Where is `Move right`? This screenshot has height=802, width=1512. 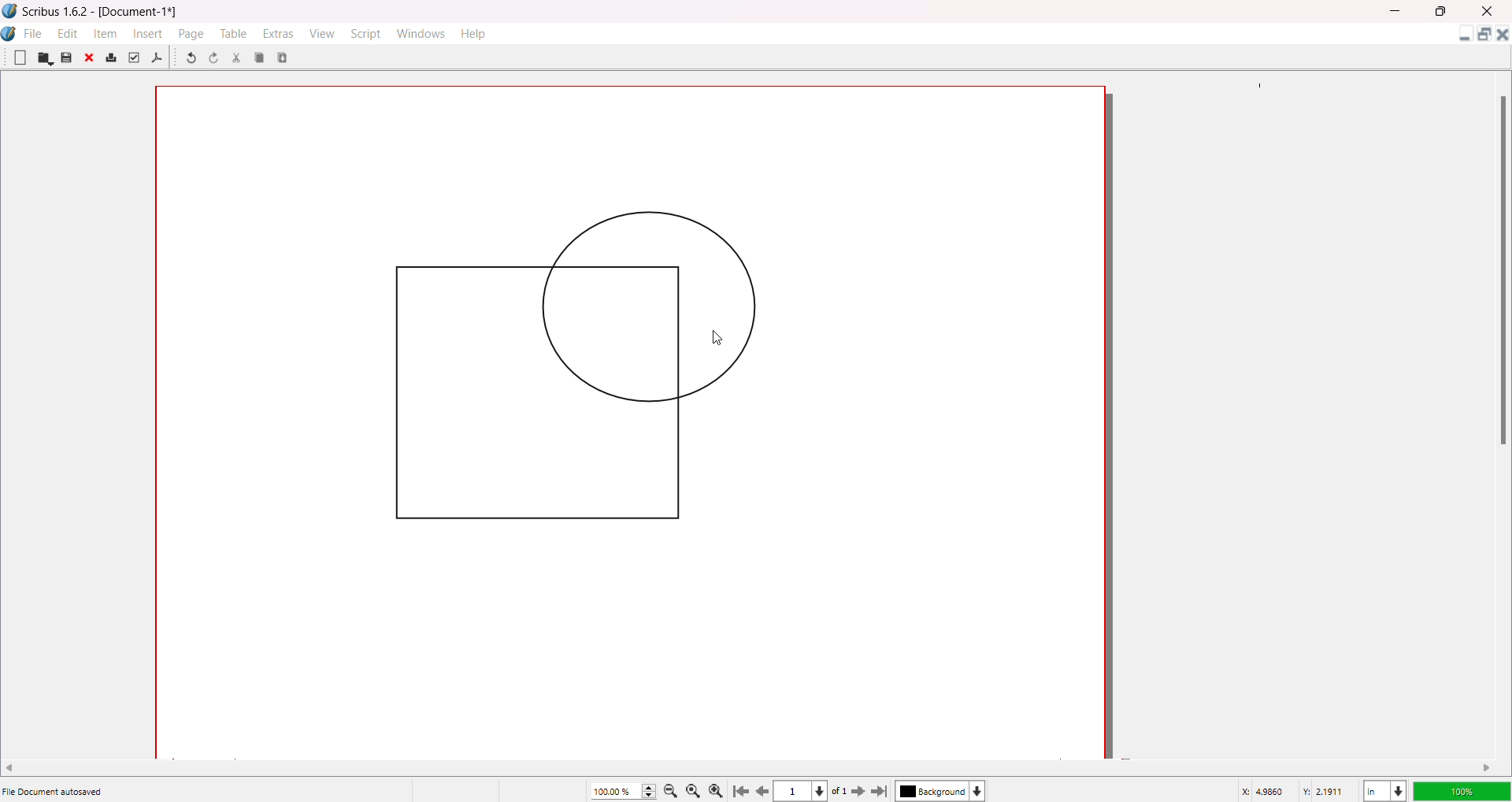 Move right is located at coordinates (1488, 767).